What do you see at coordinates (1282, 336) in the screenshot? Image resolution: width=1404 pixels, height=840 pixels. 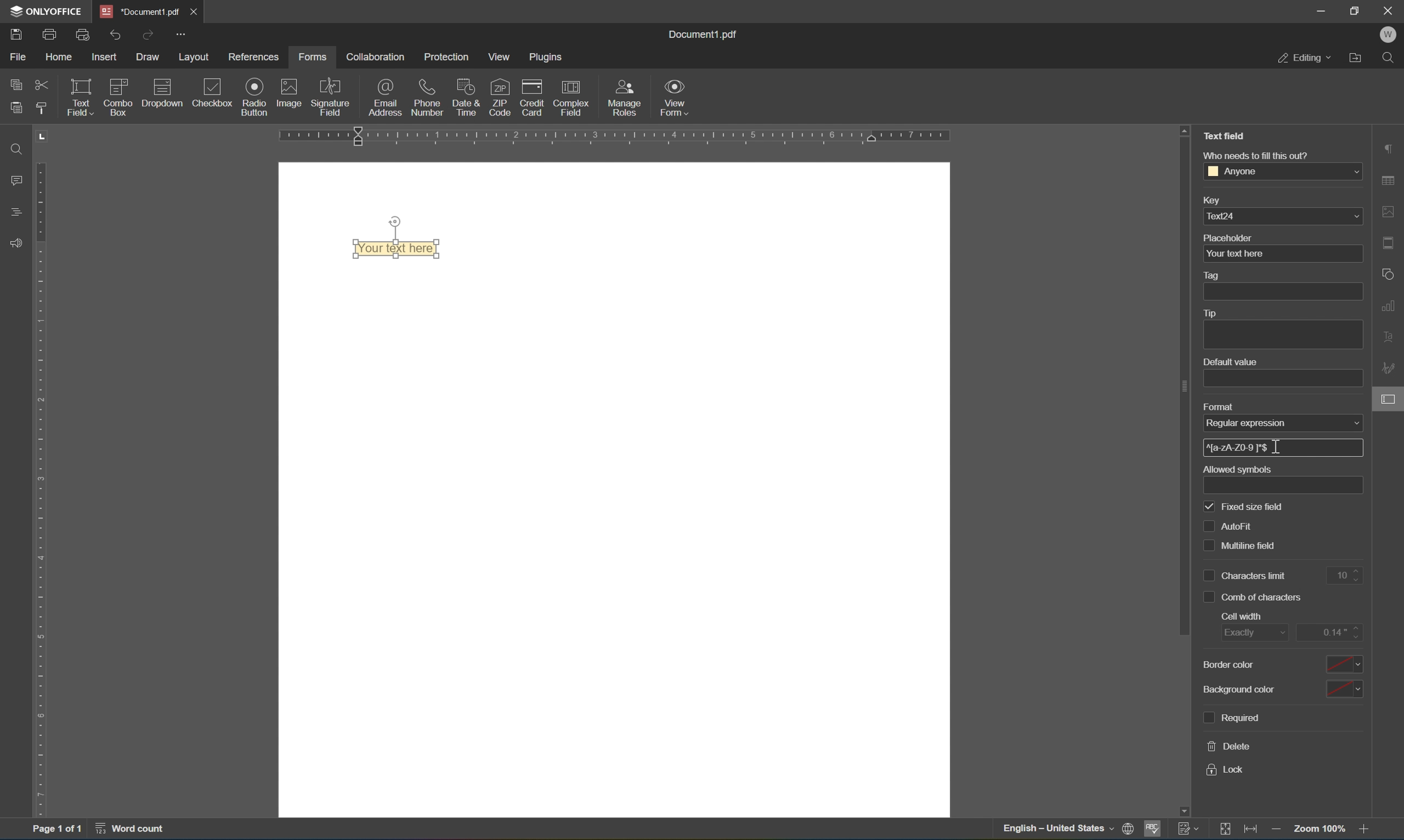 I see `add tip` at bounding box center [1282, 336].